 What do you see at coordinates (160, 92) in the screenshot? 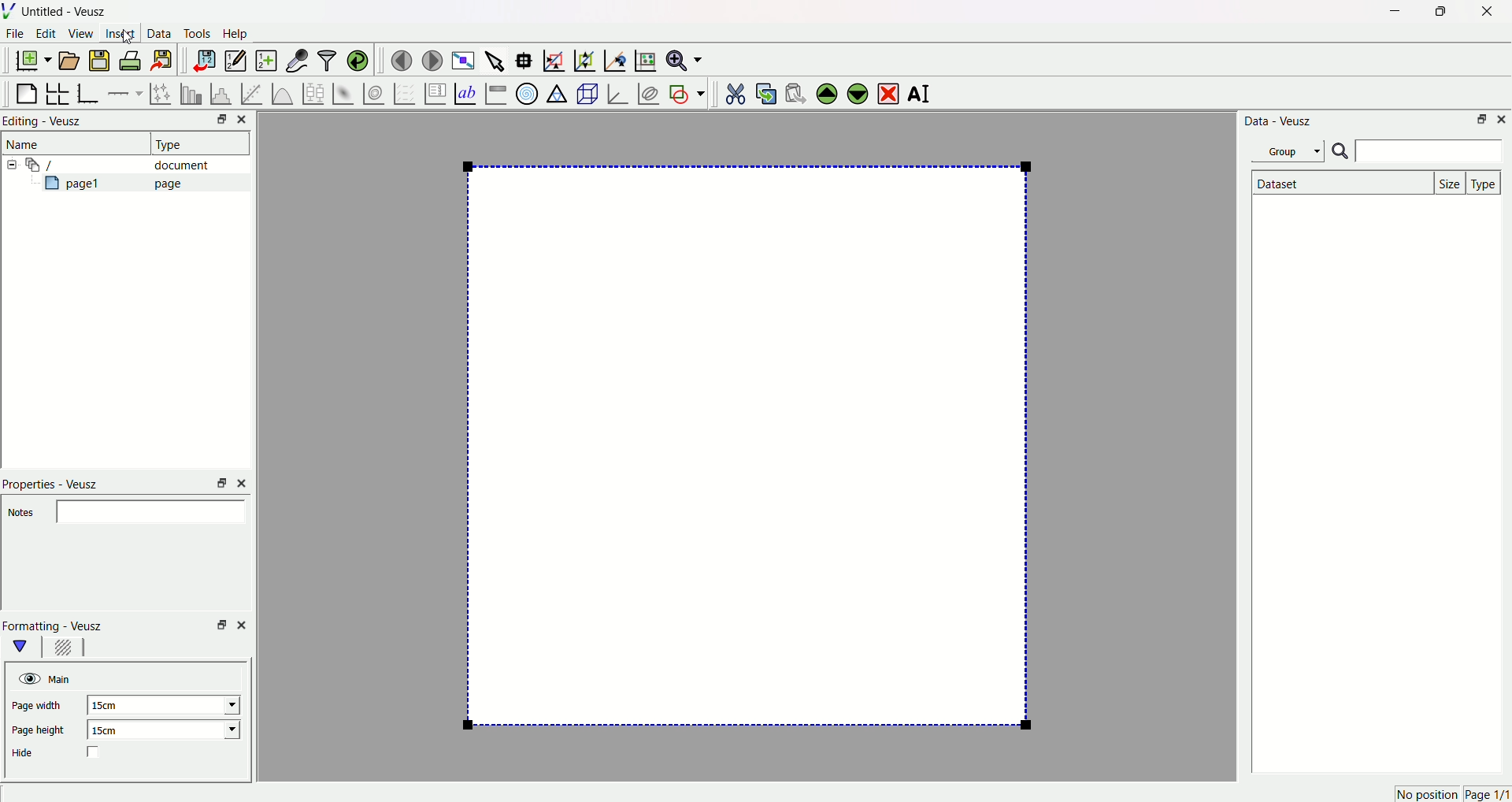
I see `lines and error bars` at bounding box center [160, 92].